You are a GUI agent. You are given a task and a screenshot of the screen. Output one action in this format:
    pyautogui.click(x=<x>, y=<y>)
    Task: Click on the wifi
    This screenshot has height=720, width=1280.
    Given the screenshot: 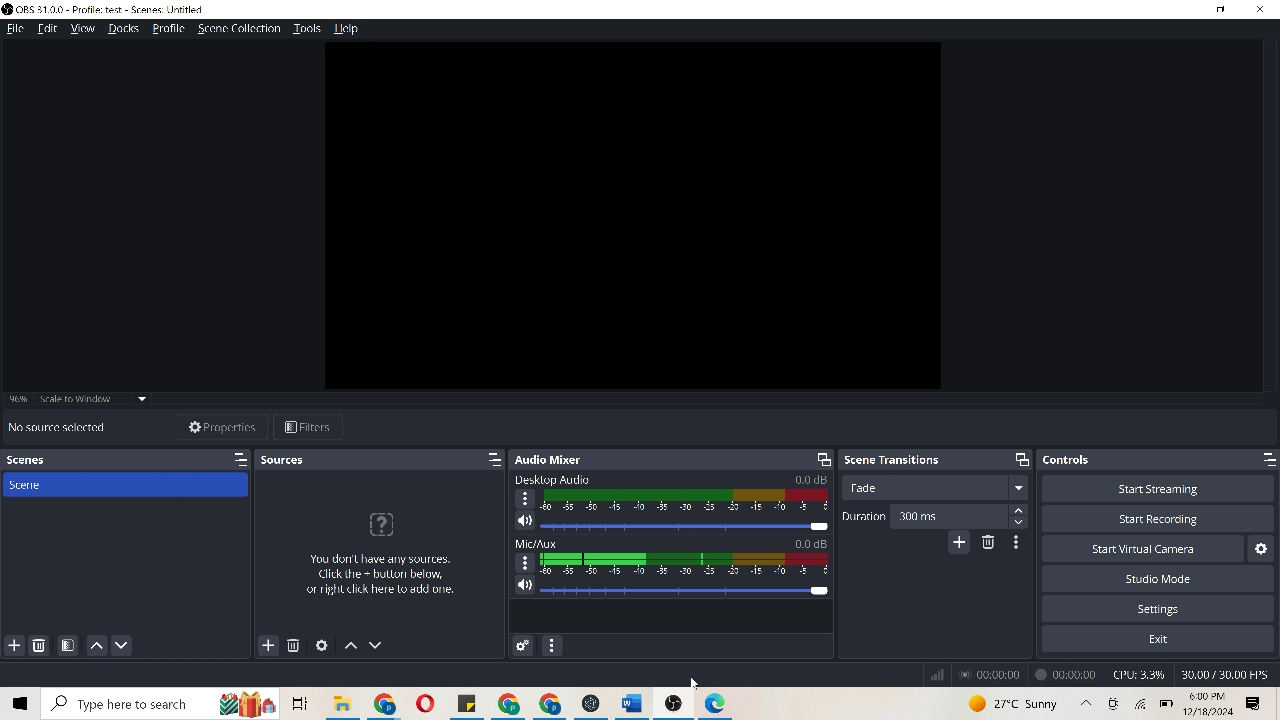 What is the action you would take?
    pyautogui.click(x=1141, y=705)
    